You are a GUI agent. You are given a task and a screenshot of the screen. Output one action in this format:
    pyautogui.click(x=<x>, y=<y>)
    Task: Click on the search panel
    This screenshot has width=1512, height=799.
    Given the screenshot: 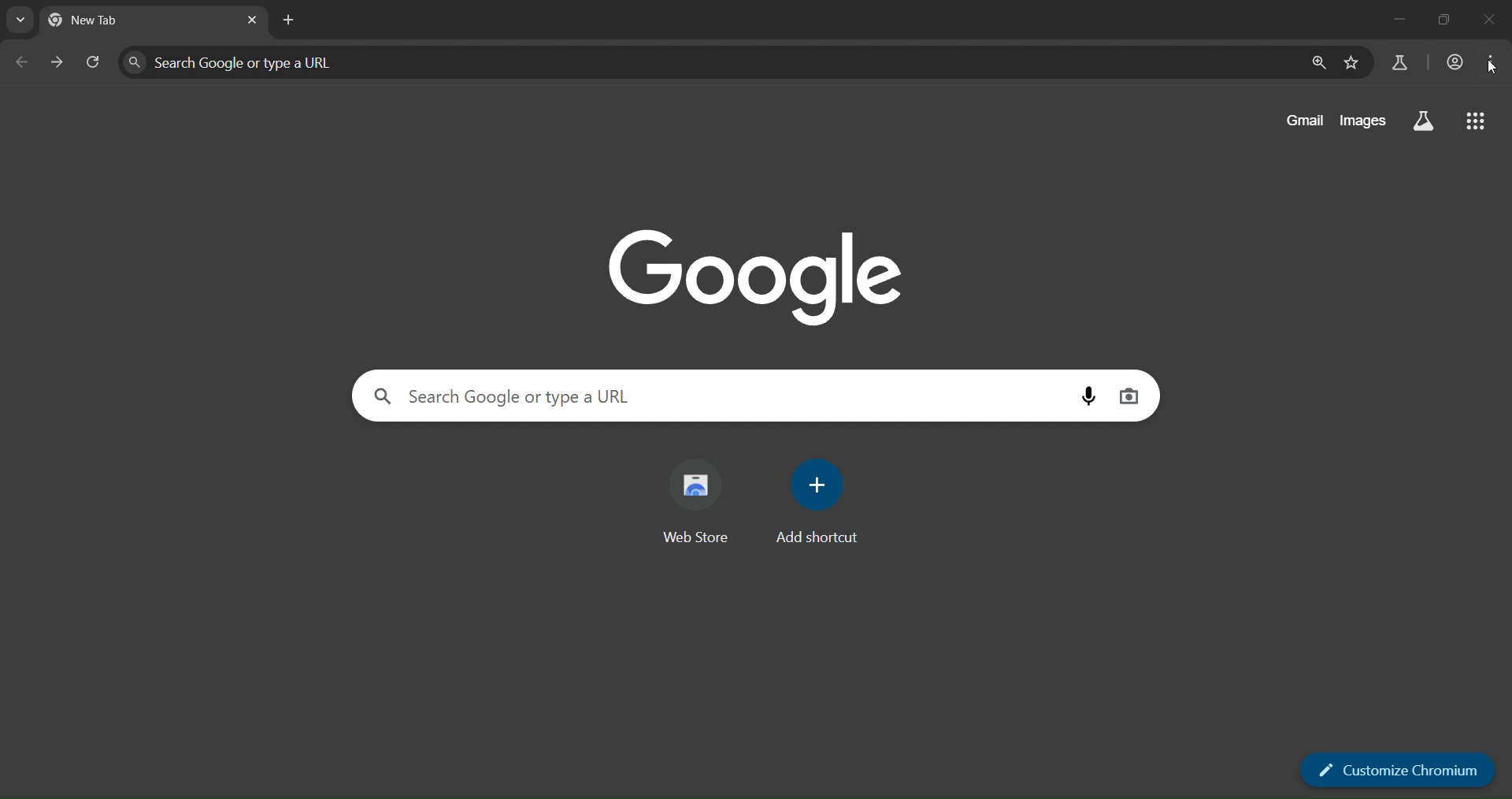 What is the action you would take?
    pyautogui.click(x=265, y=62)
    